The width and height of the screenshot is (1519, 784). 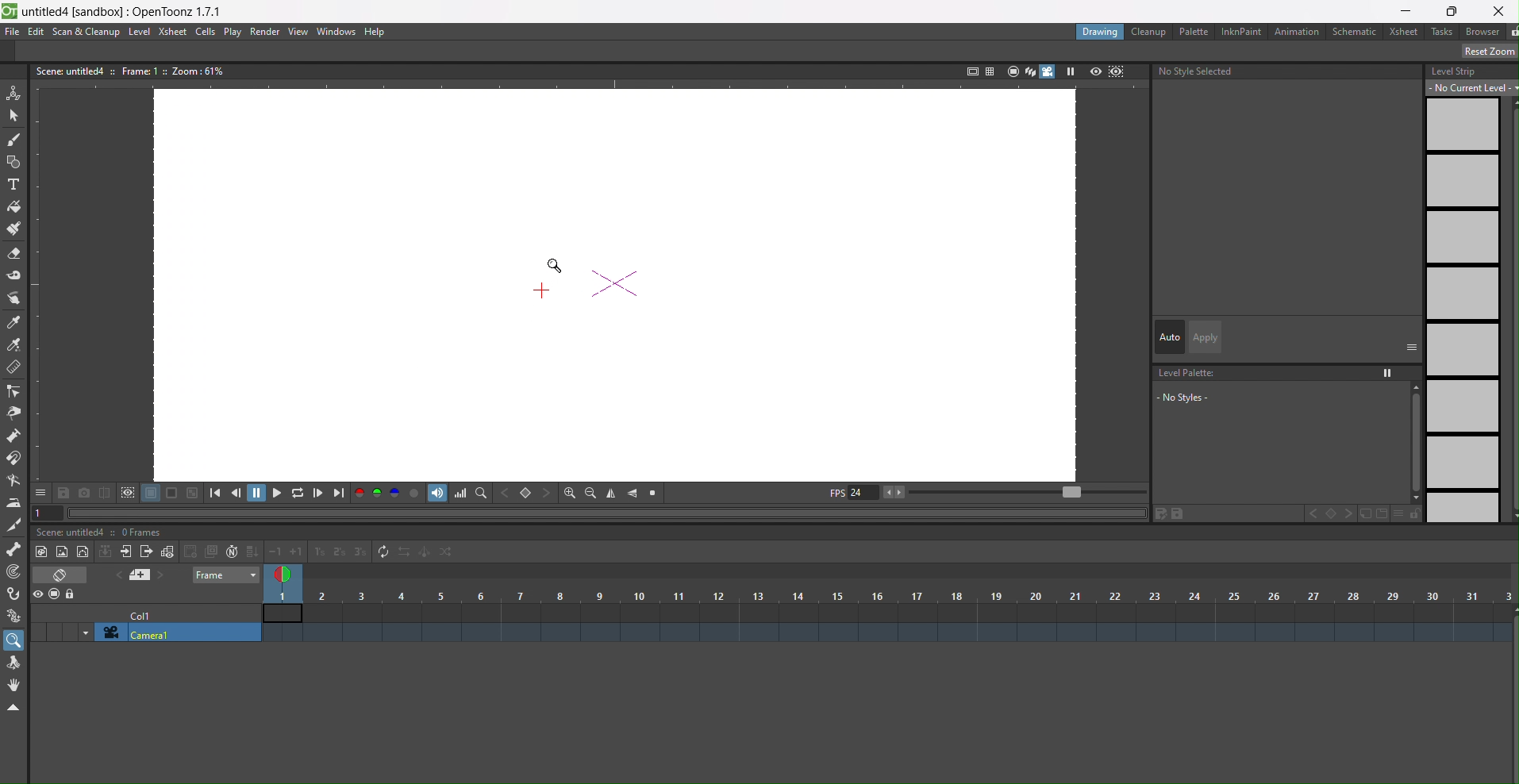 I want to click on file, so click(x=13, y=31).